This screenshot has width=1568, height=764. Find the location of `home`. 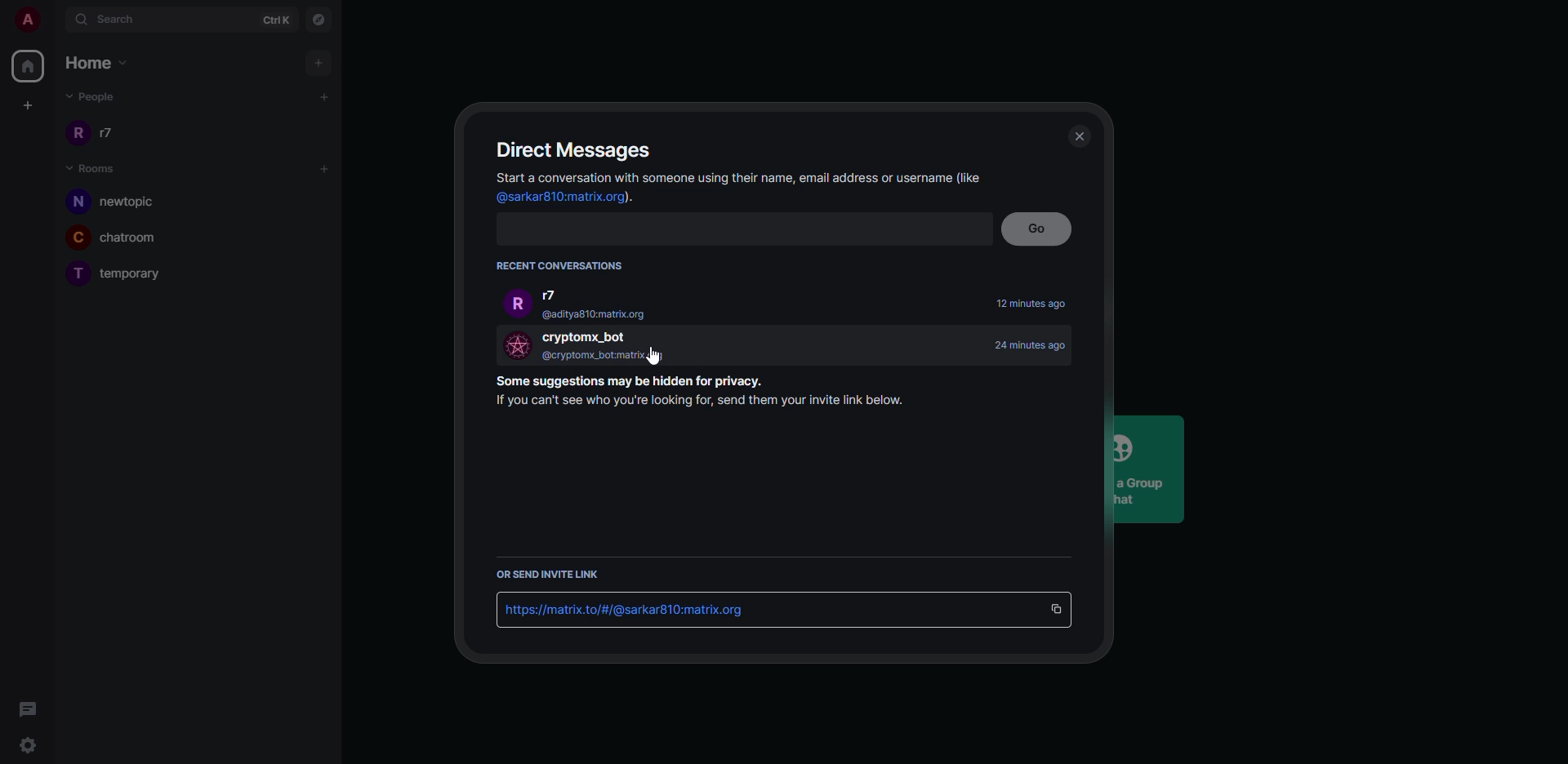

home is located at coordinates (28, 67).